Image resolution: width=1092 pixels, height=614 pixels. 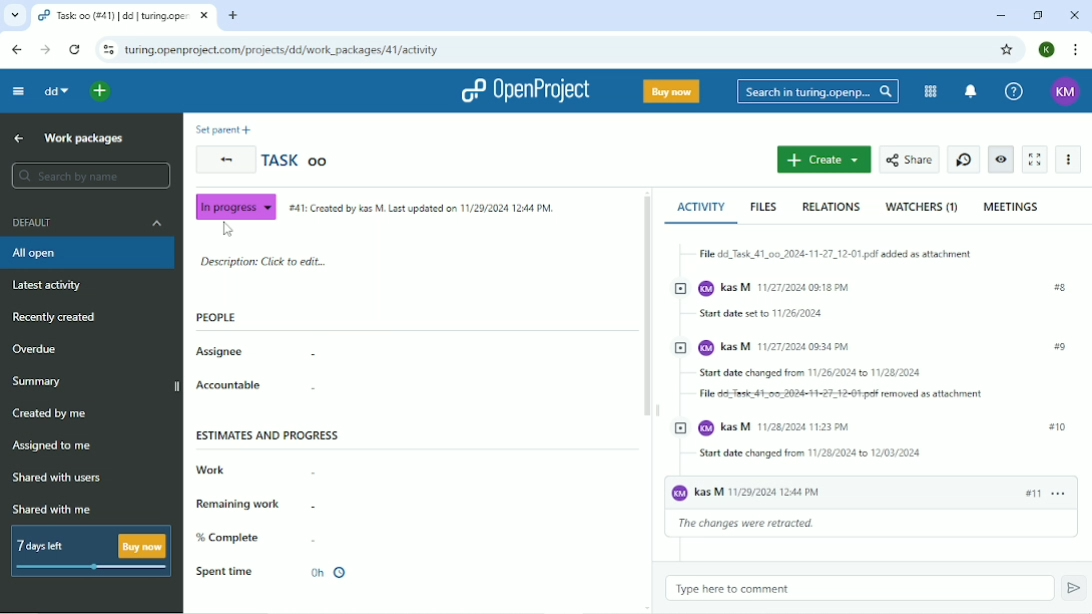 What do you see at coordinates (1014, 208) in the screenshot?
I see `Meetings` at bounding box center [1014, 208].